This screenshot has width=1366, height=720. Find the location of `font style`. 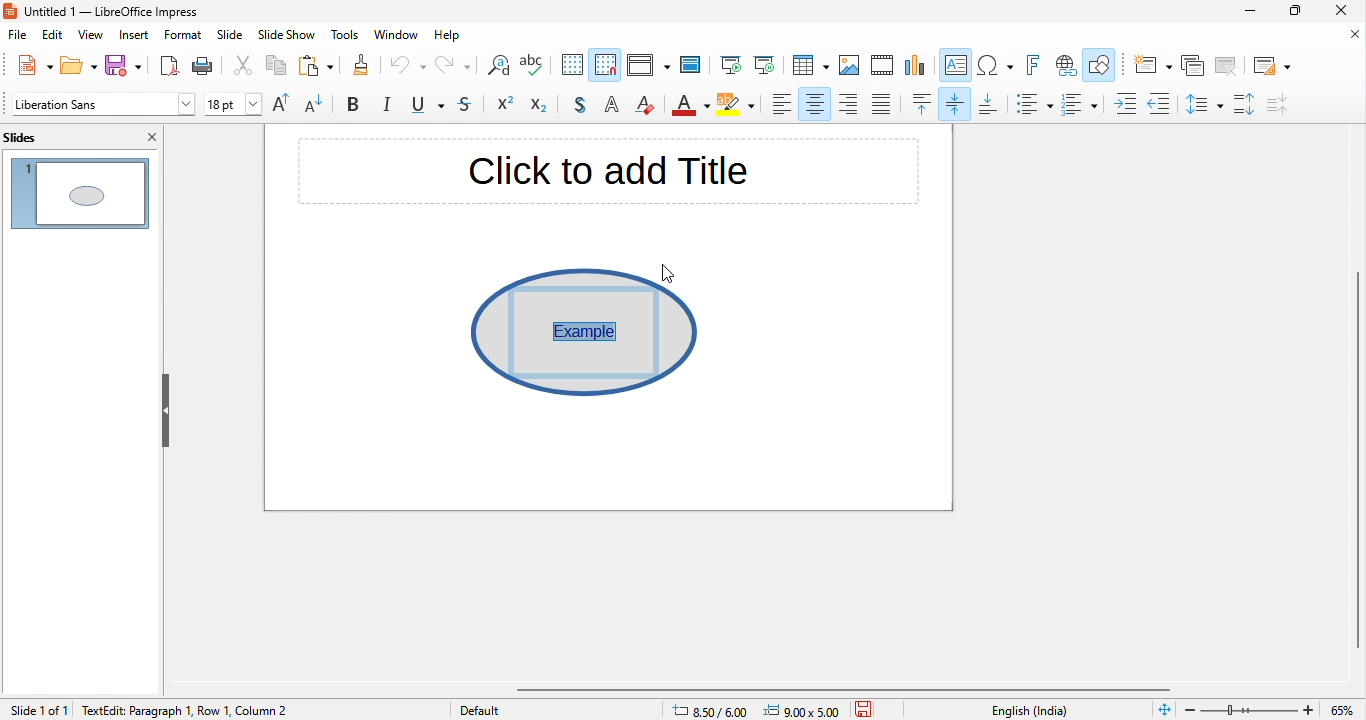

font style is located at coordinates (101, 106).